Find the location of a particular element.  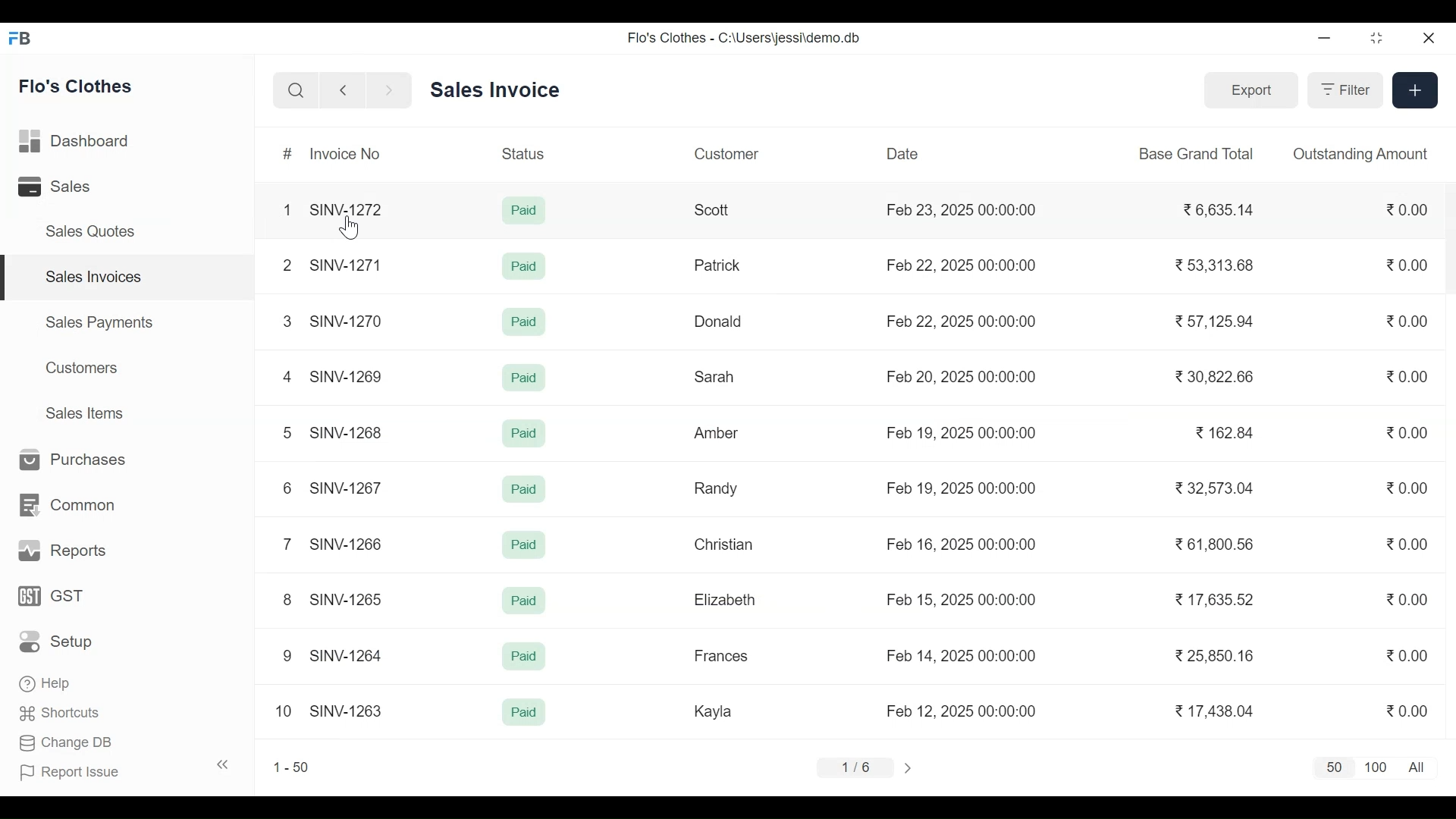

All is located at coordinates (1418, 769).